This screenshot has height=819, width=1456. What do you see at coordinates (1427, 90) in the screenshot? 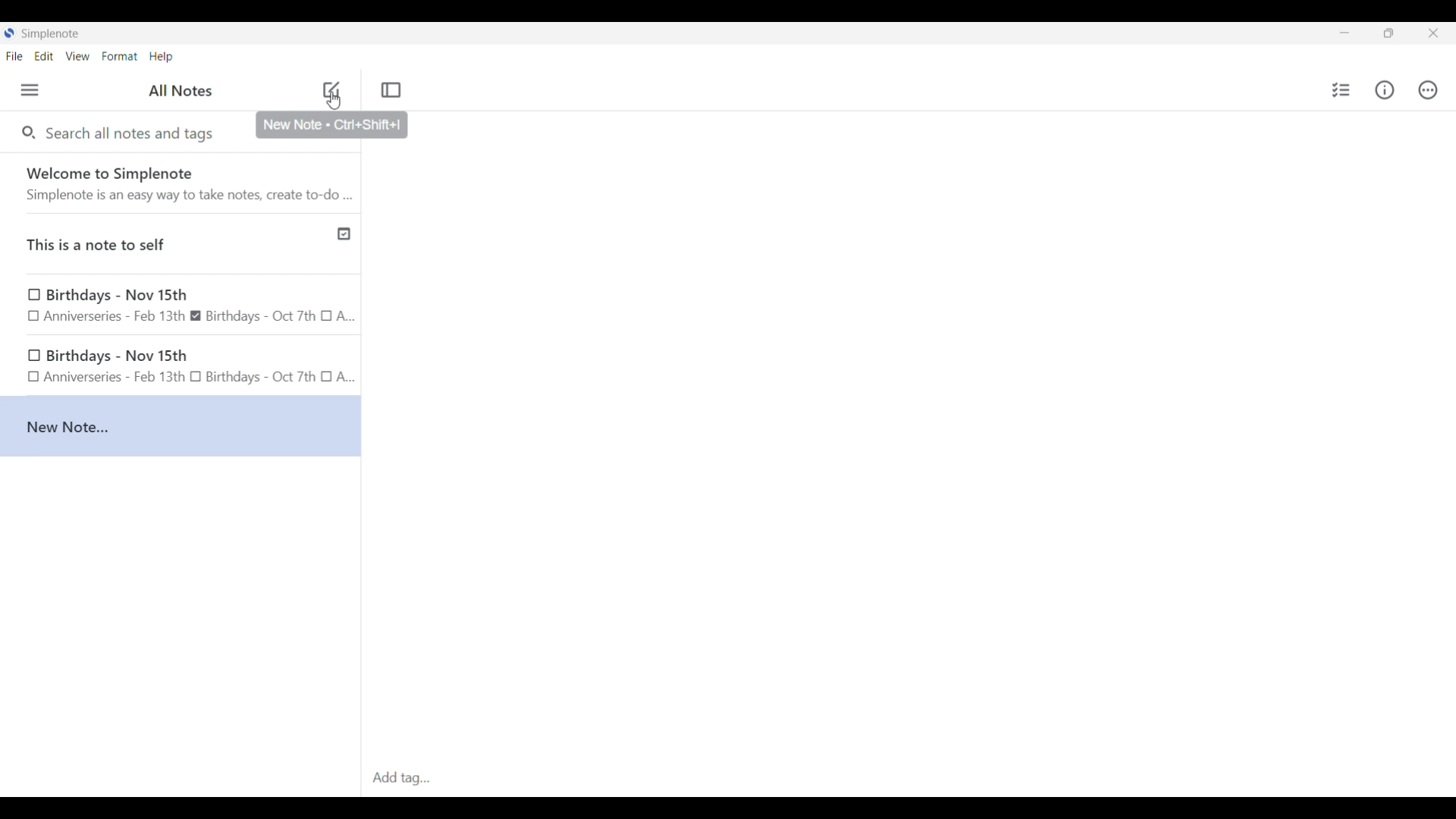
I see `Actions` at bounding box center [1427, 90].